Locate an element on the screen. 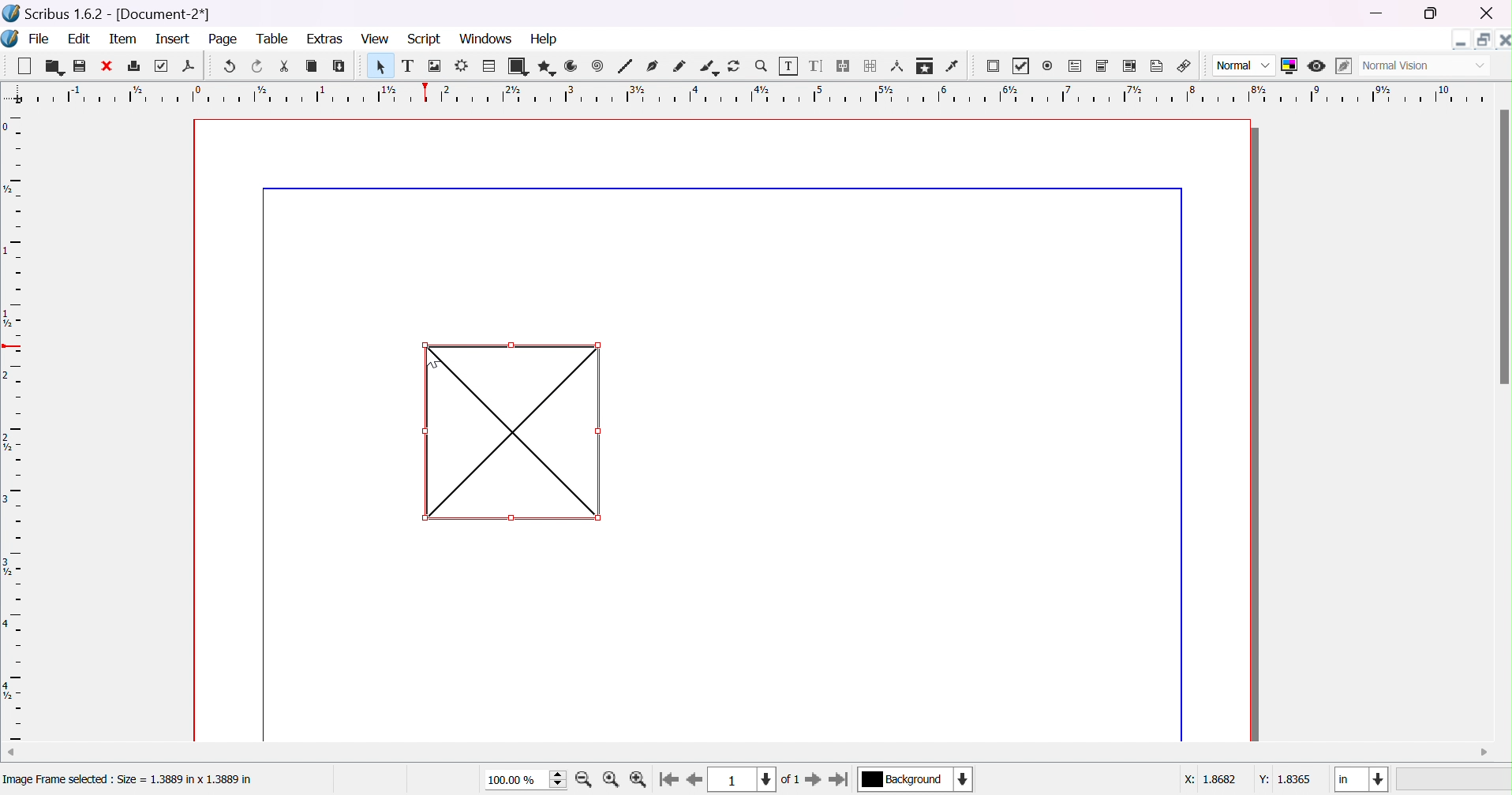  Cursor is located at coordinates (431, 358).